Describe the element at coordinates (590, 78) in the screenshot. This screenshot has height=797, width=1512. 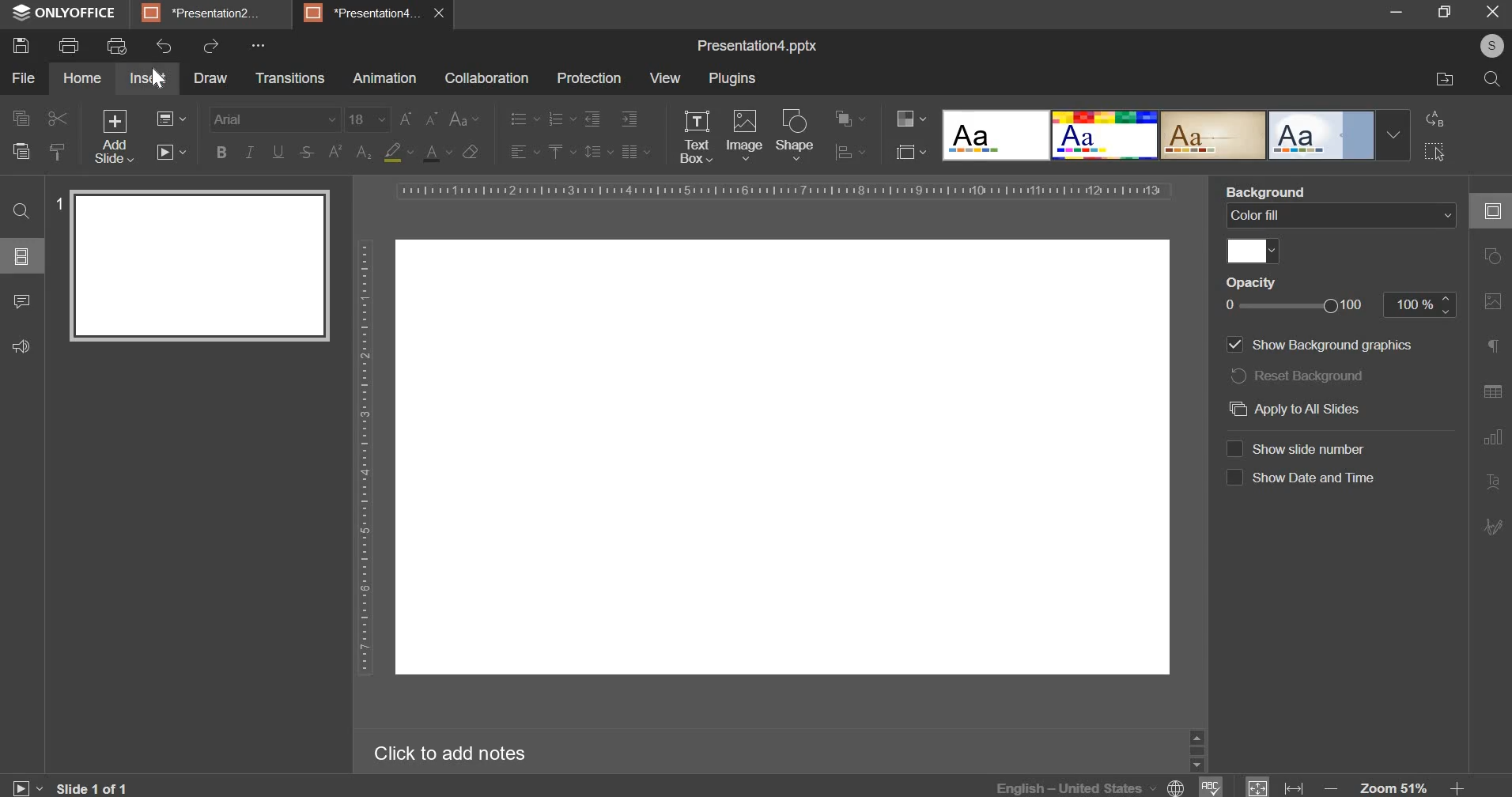
I see `protection` at that location.